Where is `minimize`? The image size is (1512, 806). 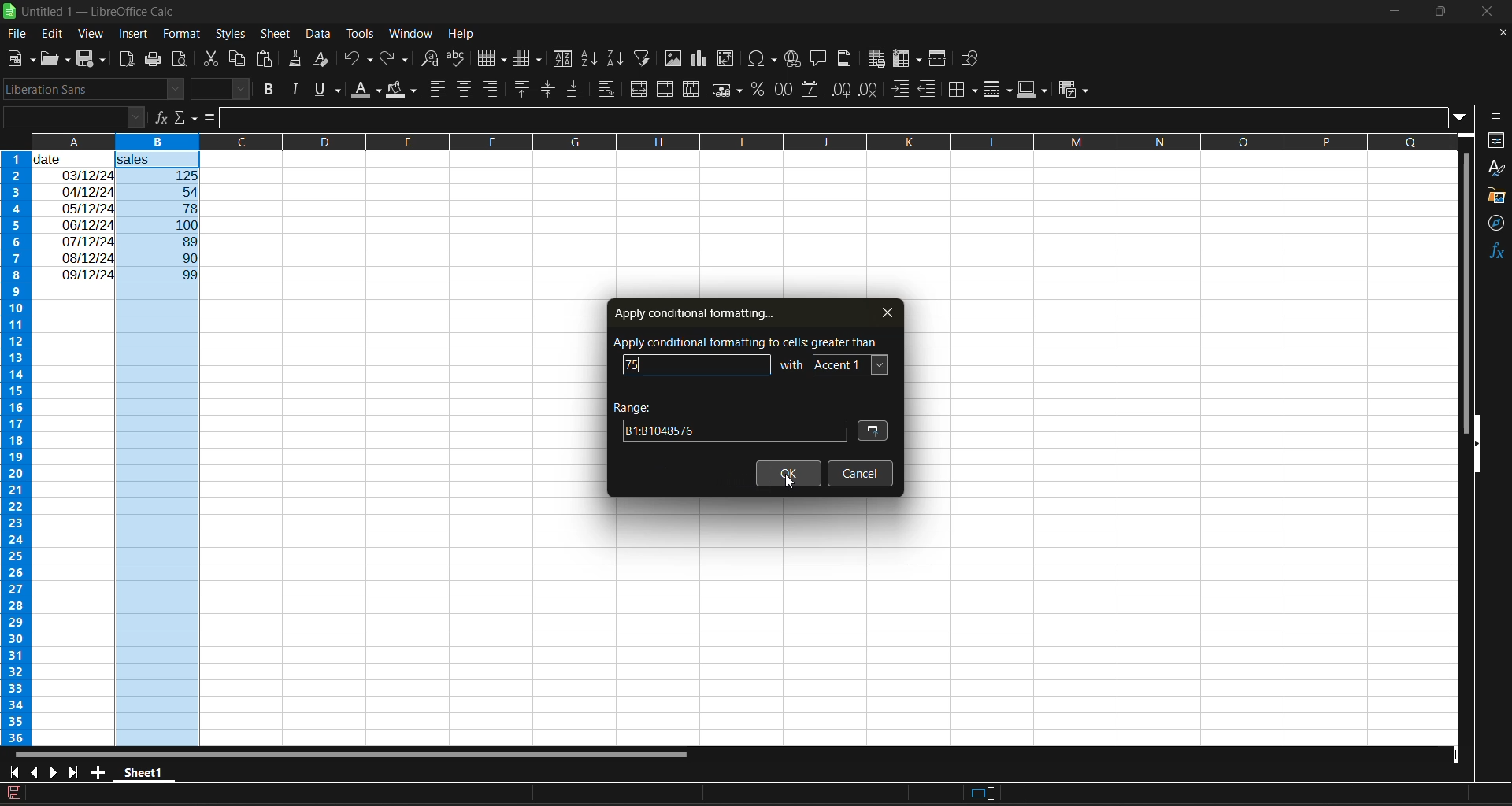 minimize is located at coordinates (1396, 9).